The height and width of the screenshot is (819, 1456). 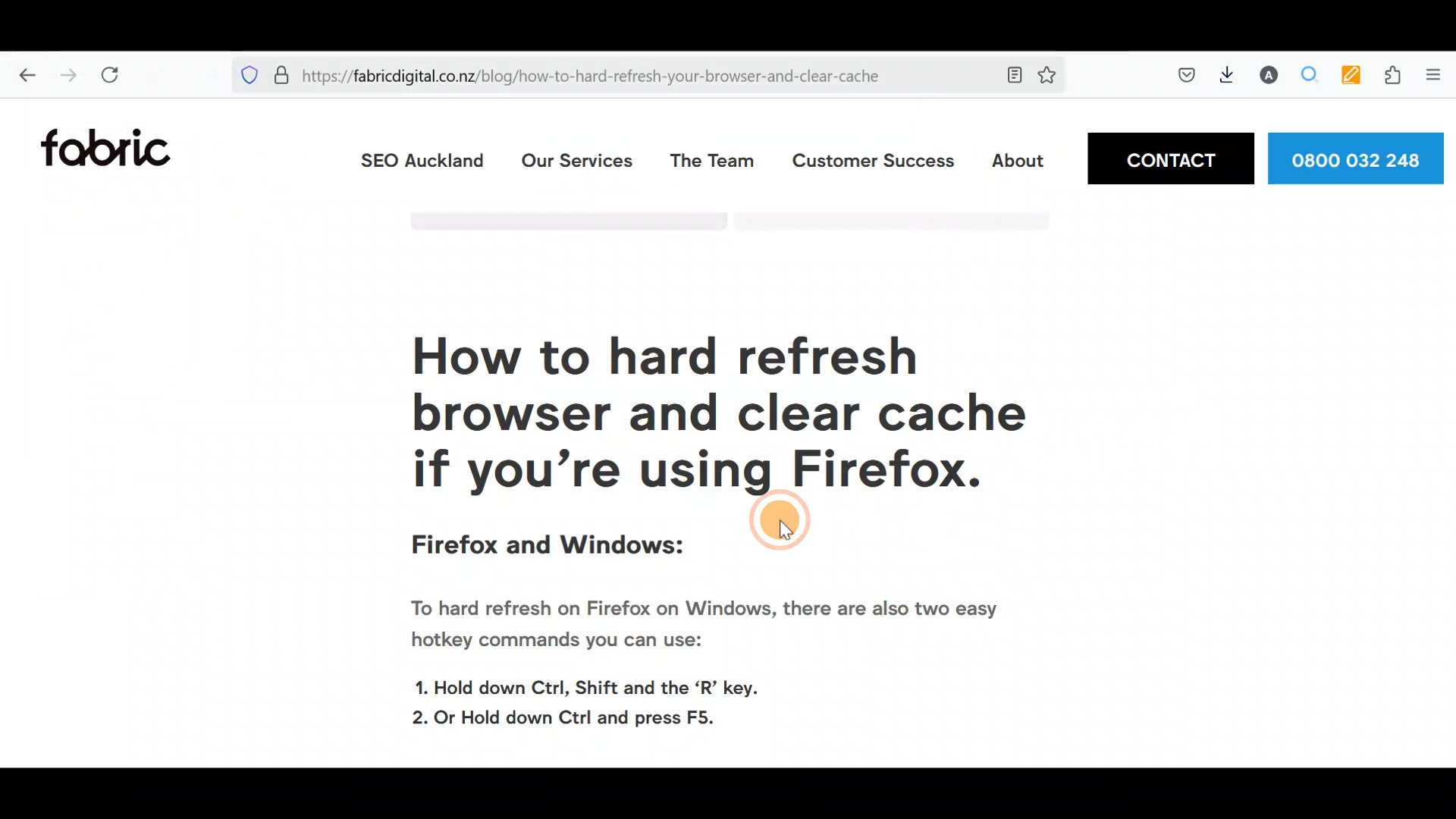 What do you see at coordinates (1358, 157) in the screenshot?
I see `Phone number` at bounding box center [1358, 157].